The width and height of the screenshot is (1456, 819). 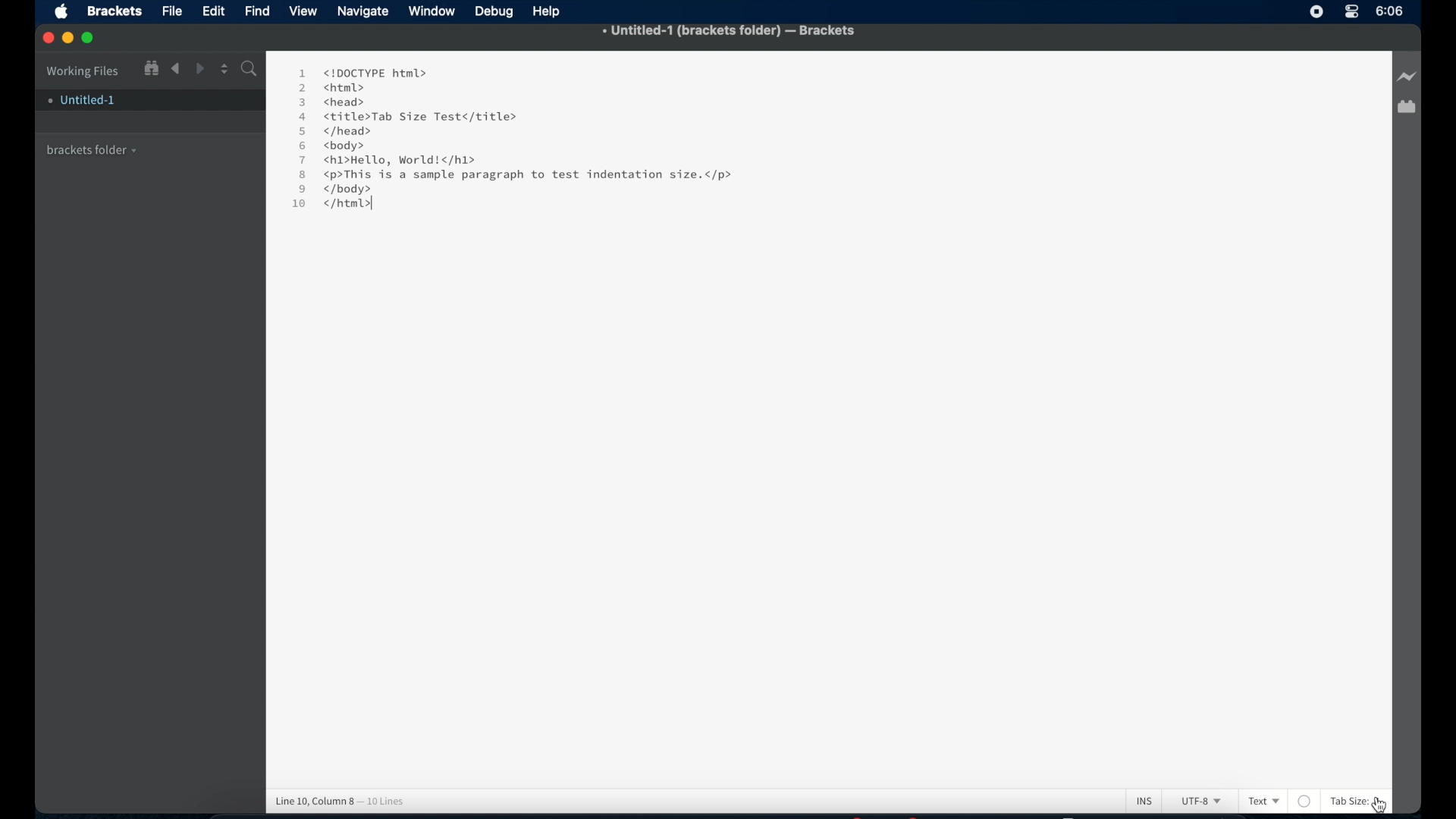 What do you see at coordinates (1383, 805) in the screenshot?
I see `cursor` at bounding box center [1383, 805].